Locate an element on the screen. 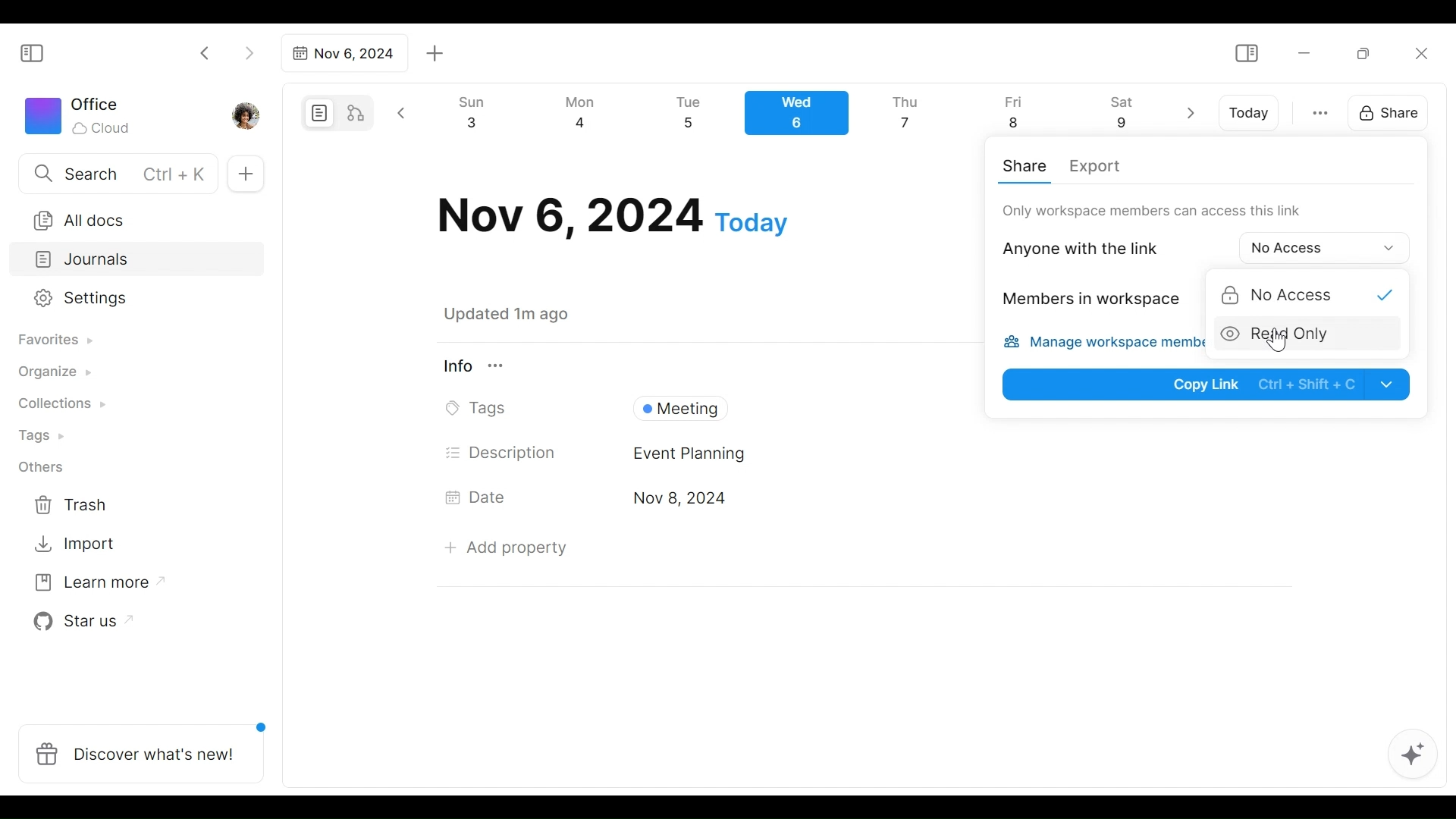 This screenshot has width=1456, height=819. Manage workspace members is located at coordinates (1103, 344).